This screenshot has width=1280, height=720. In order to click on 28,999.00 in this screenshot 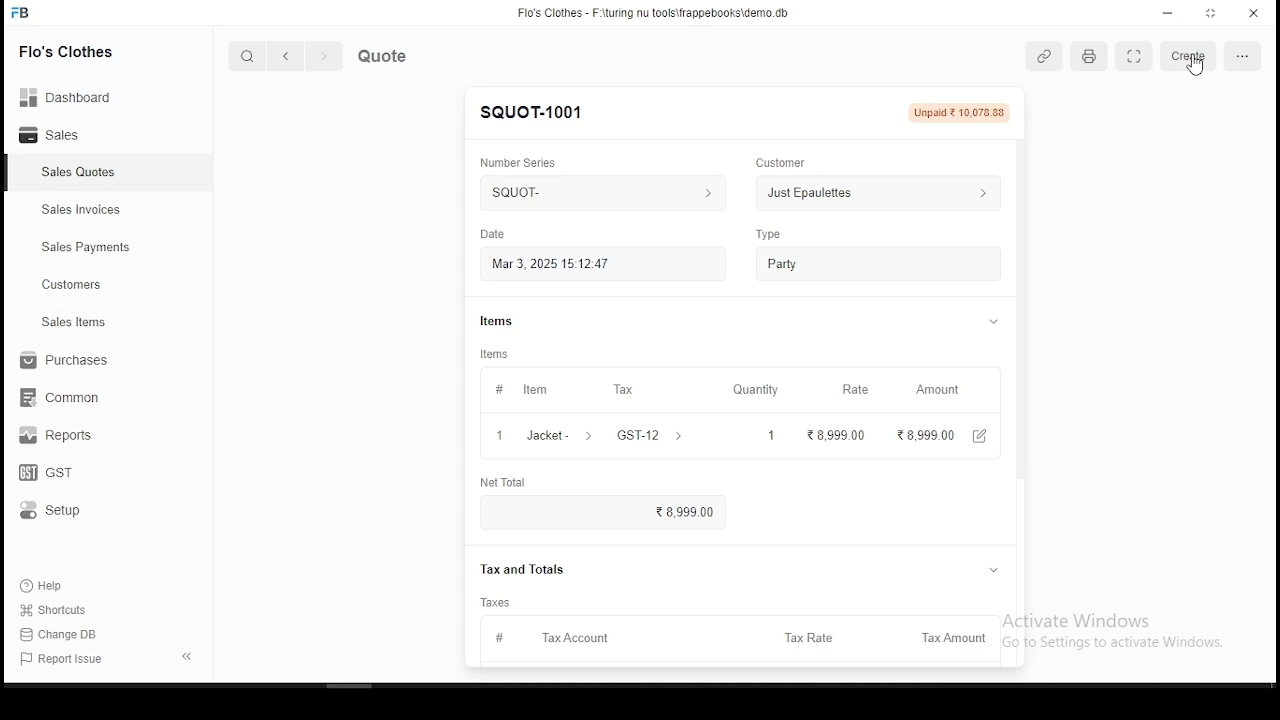, I will do `click(930, 434)`.